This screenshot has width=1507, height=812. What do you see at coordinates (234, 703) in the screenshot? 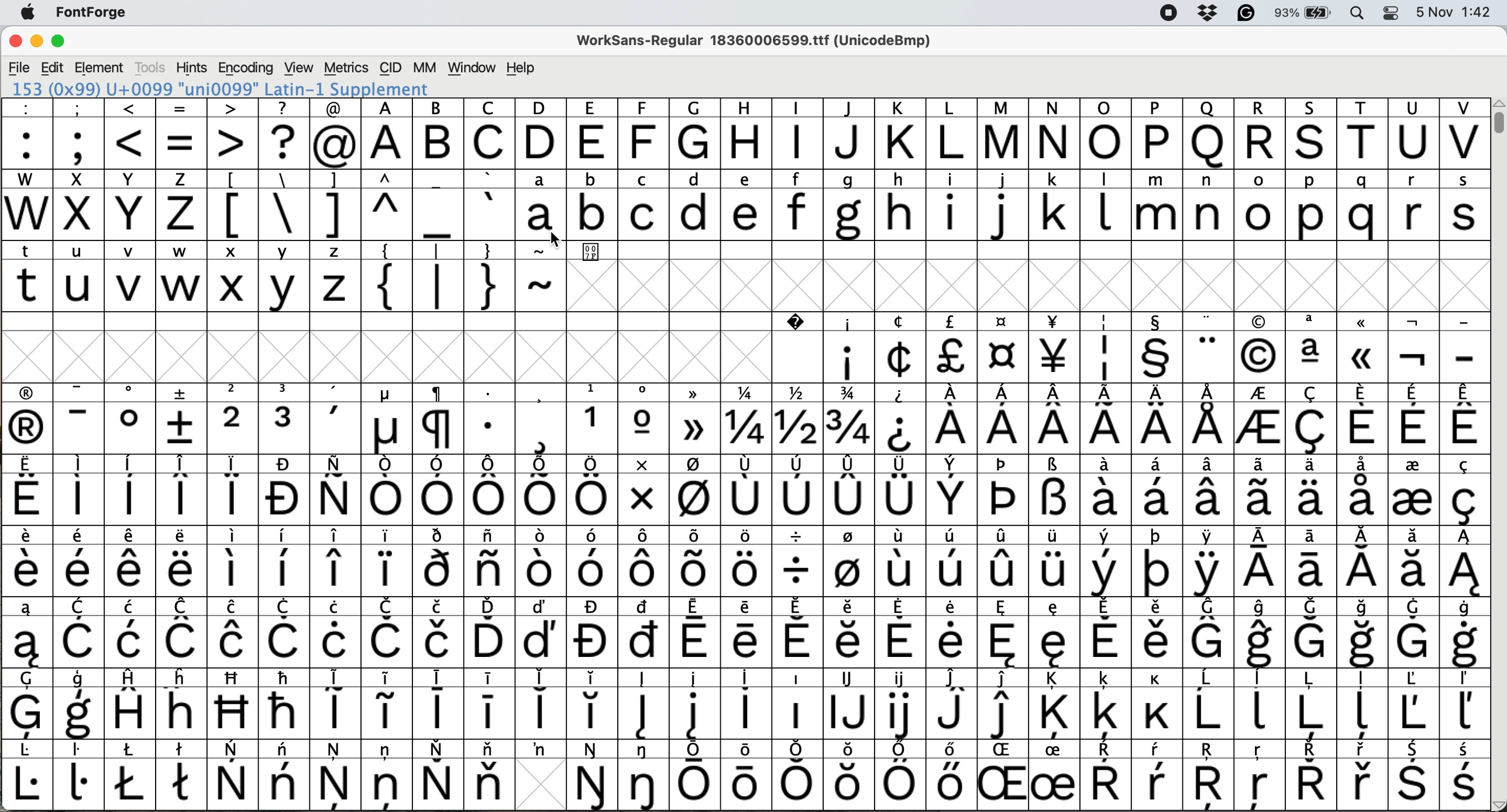
I see `` at bounding box center [234, 703].